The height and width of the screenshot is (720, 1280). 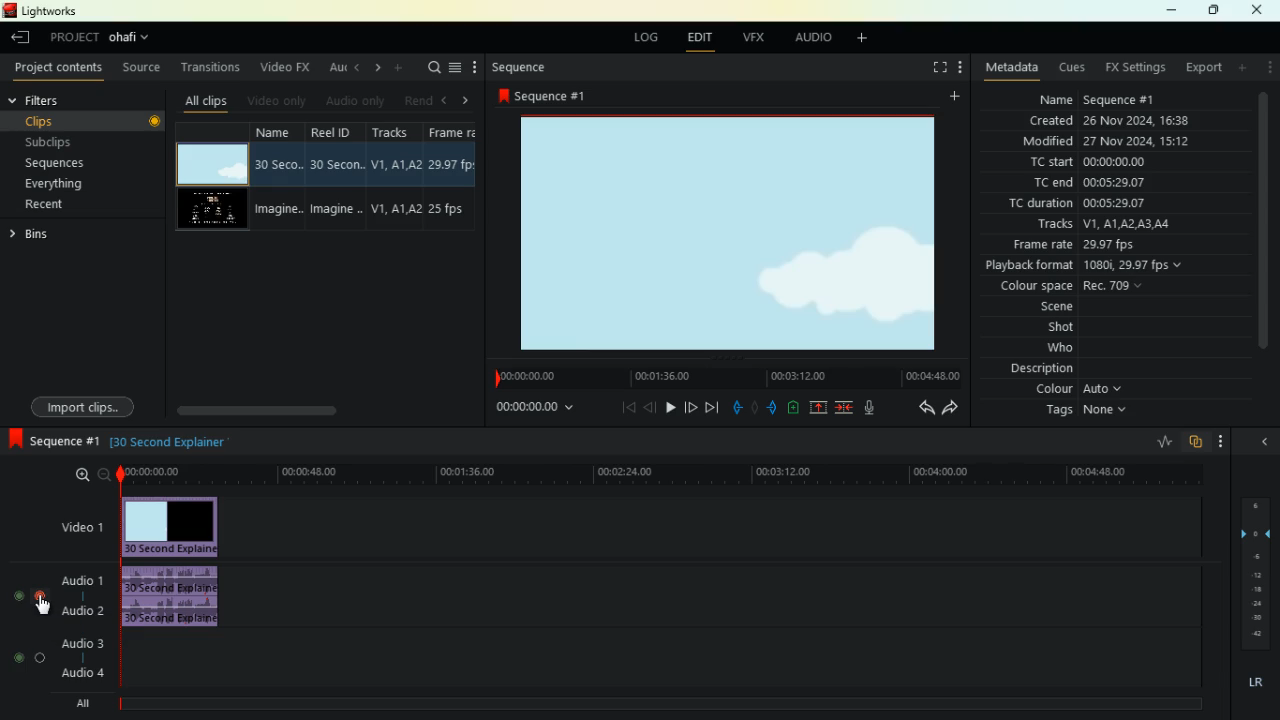 What do you see at coordinates (54, 143) in the screenshot?
I see `subclips` at bounding box center [54, 143].